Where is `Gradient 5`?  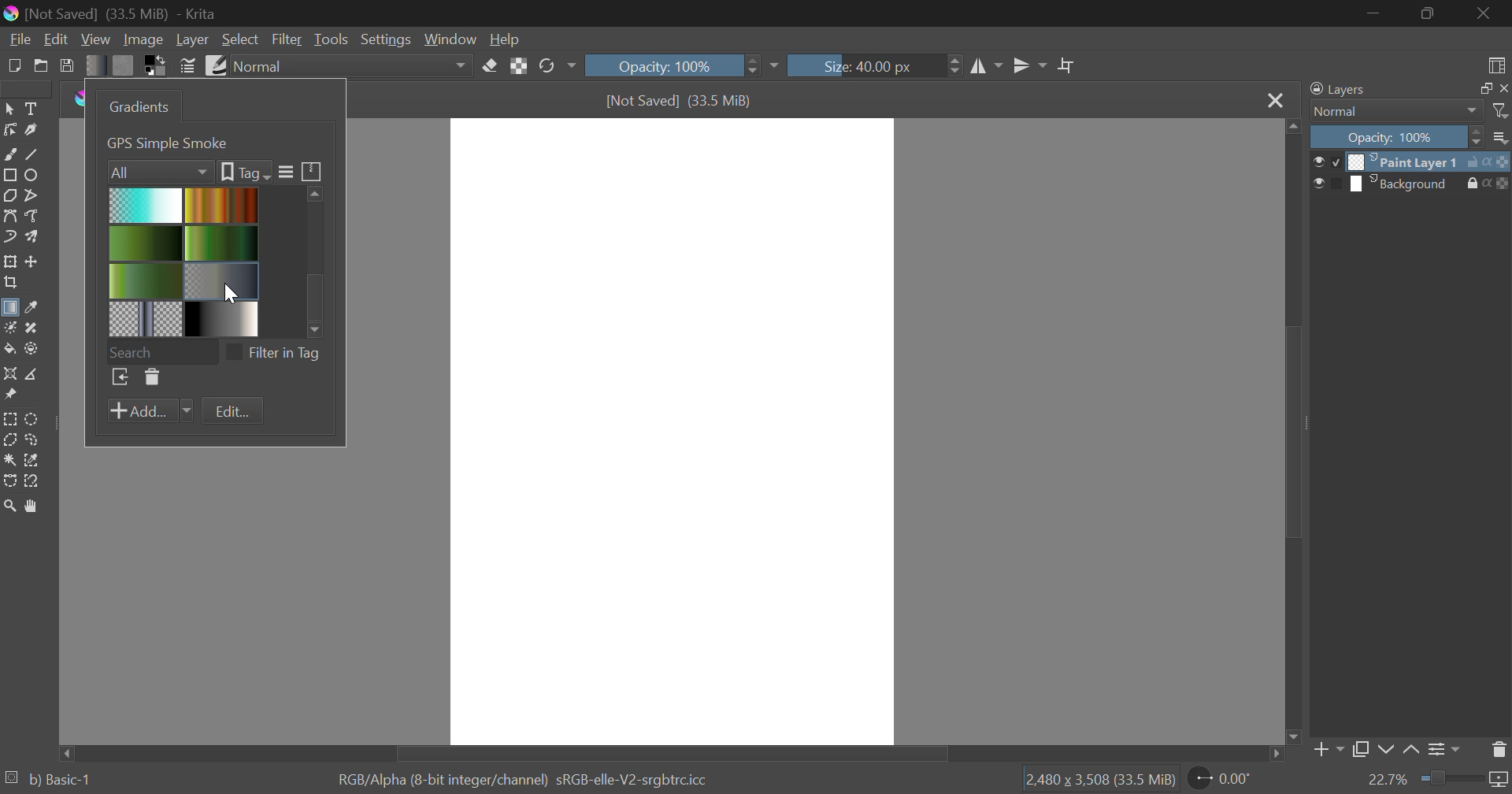
Gradient 5 is located at coordinates (146, 280).